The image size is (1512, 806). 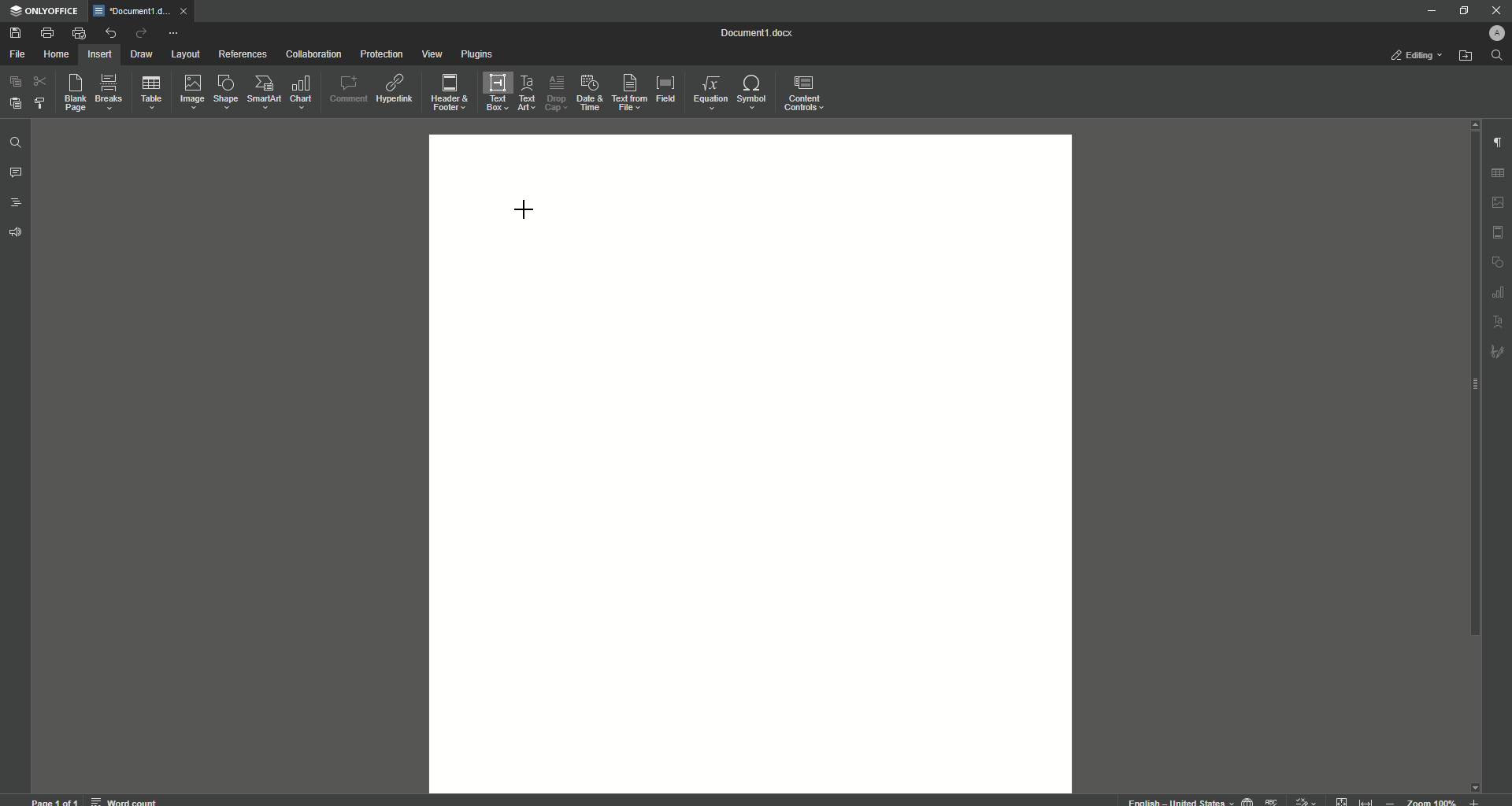 What do you see at coordinates (1500, 171) in the screenshot?
I see `table` at bounding box center [1500, 171].